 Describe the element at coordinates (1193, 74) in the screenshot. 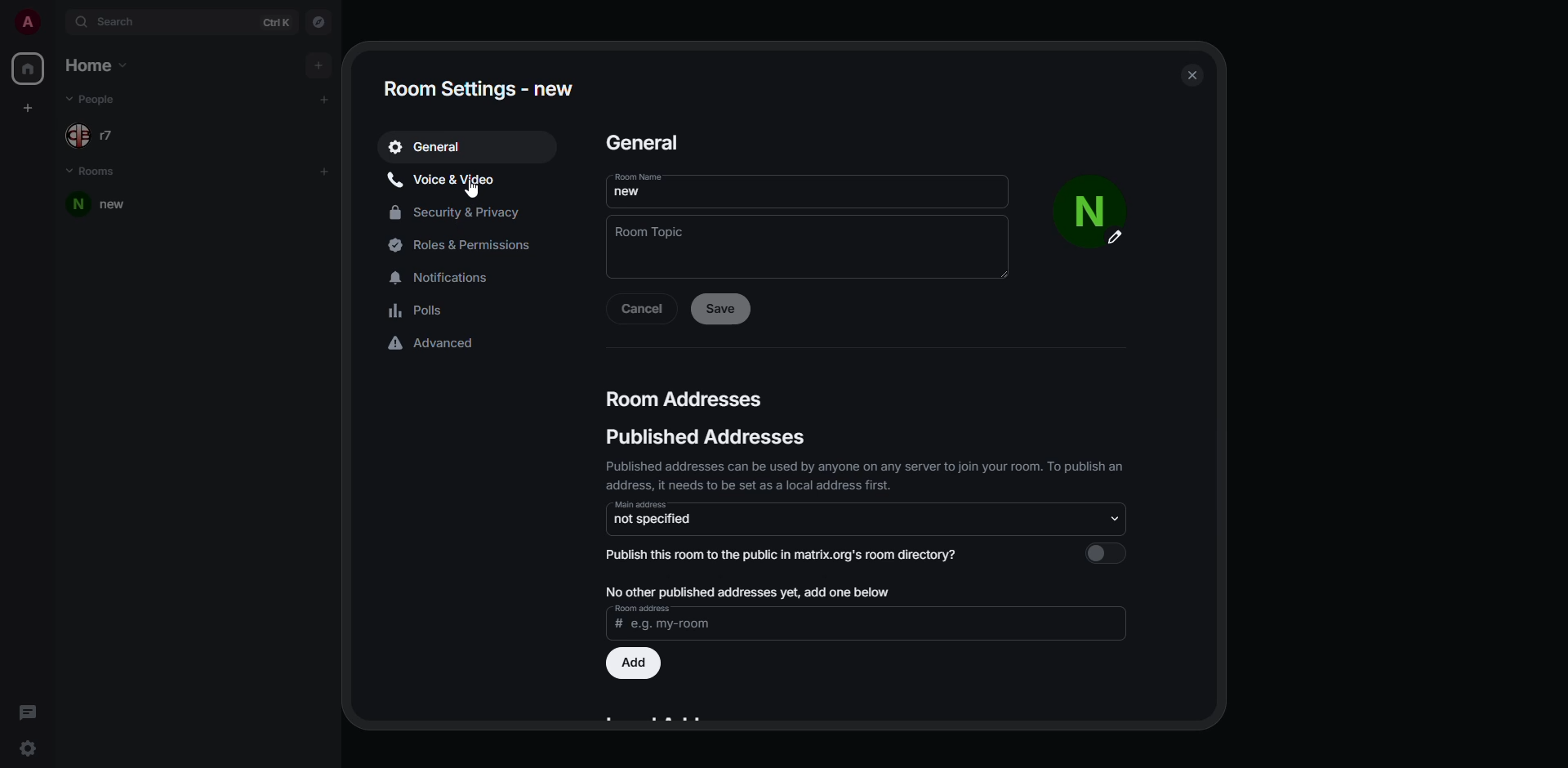

I see `close` at that location.